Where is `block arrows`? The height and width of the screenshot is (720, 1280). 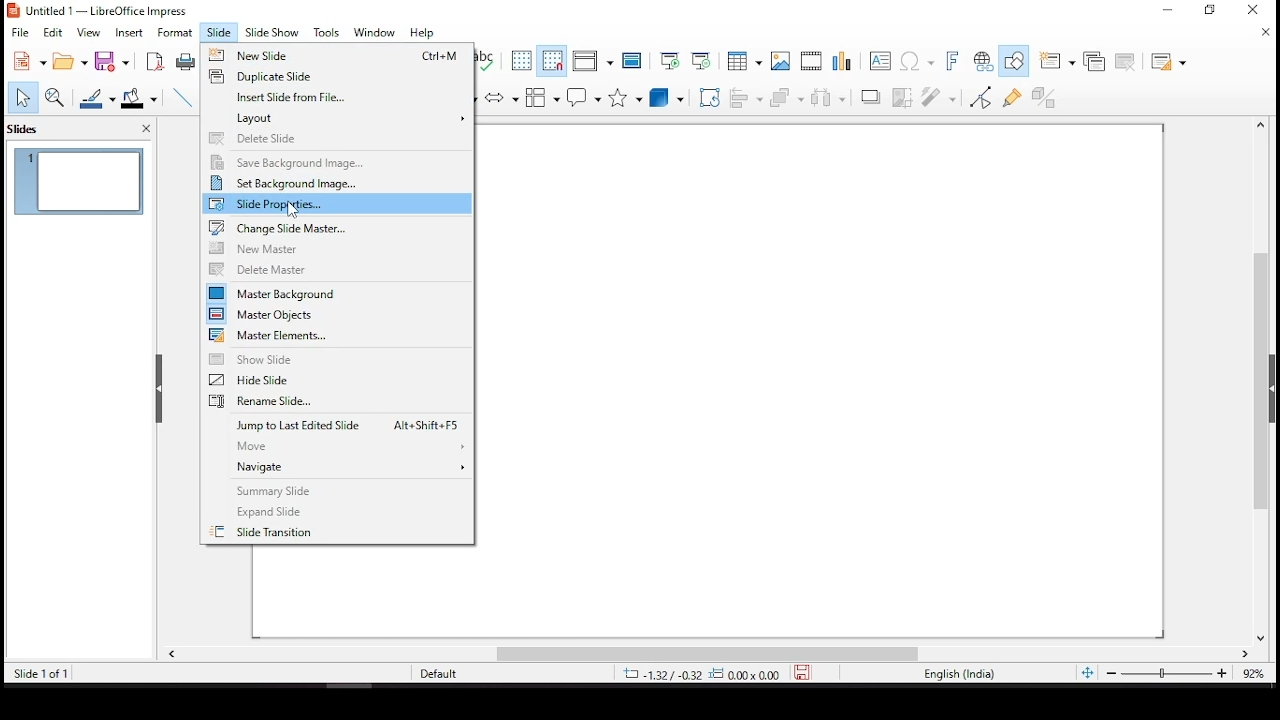
block arrows is located at coordinates (500, 96).